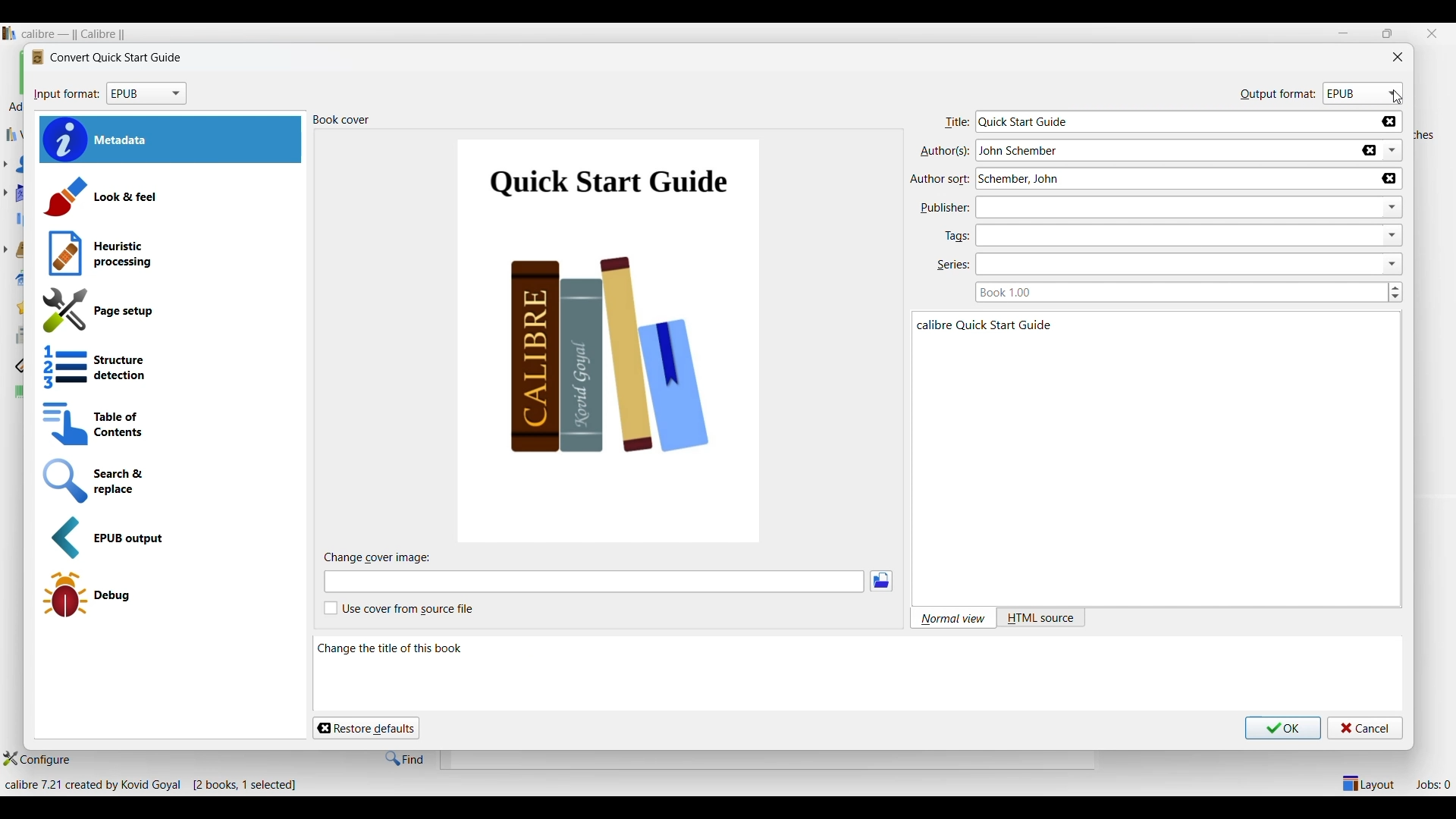 The width and height of the screenshot is (1456, 819). What do you see at coordinates (164, 482) in the screenshot?
I see `Search and replace` at bounding box center [164, 482].